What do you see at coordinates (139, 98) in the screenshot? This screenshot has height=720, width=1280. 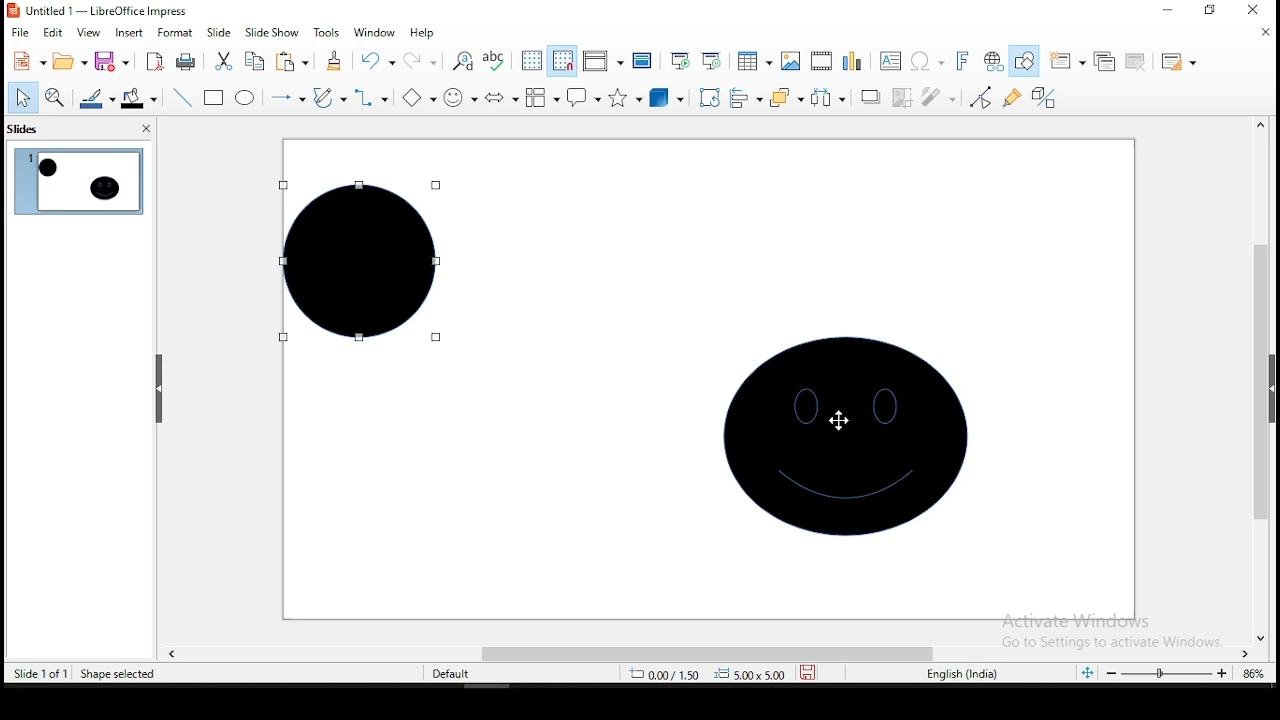 I see `paint bucket tool` at bounding box center [139, 98].